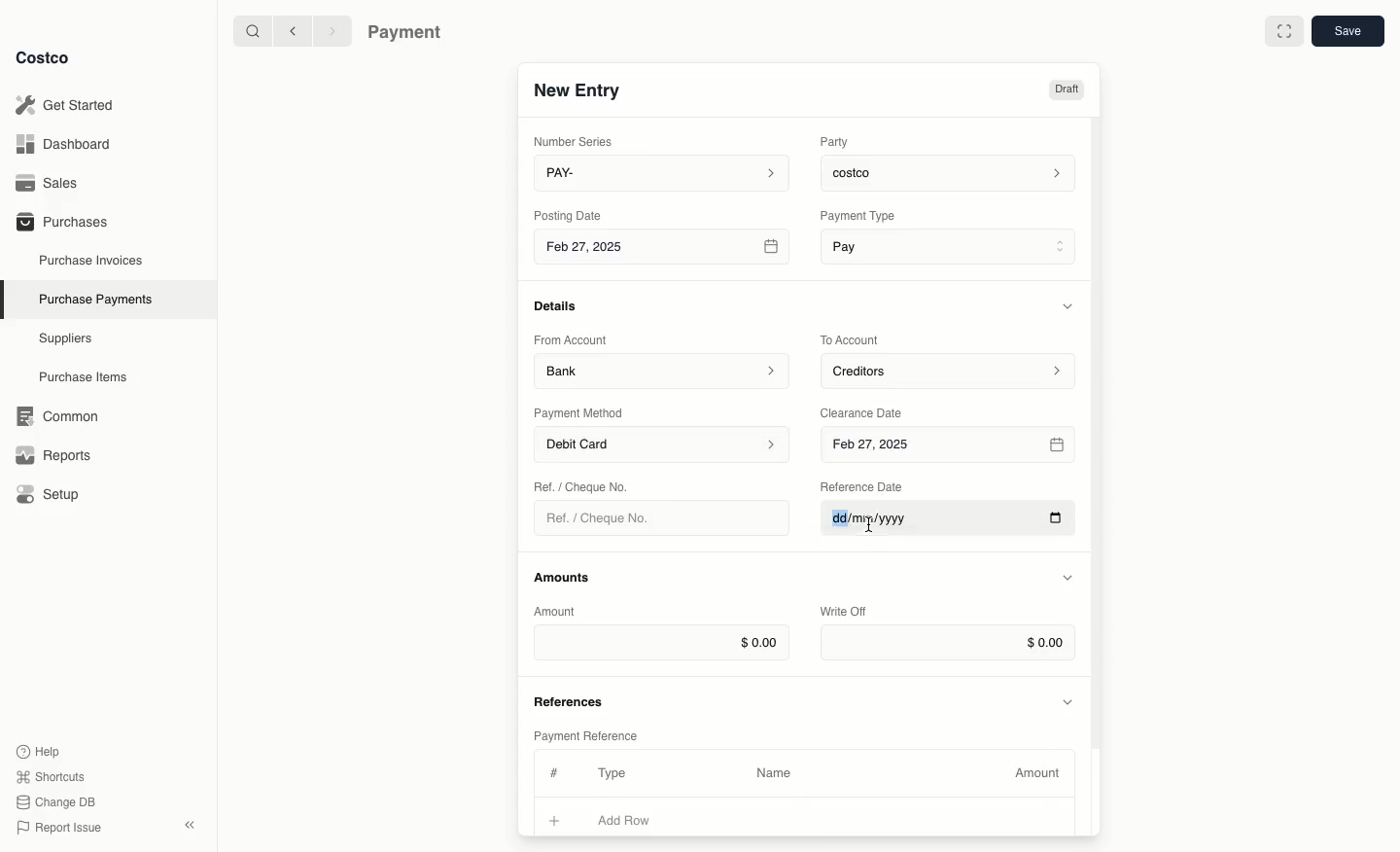  What do you see at coordinates (868, 411) in the screenshot?
I see `Clearance Date` at bounding box center [868, 411].